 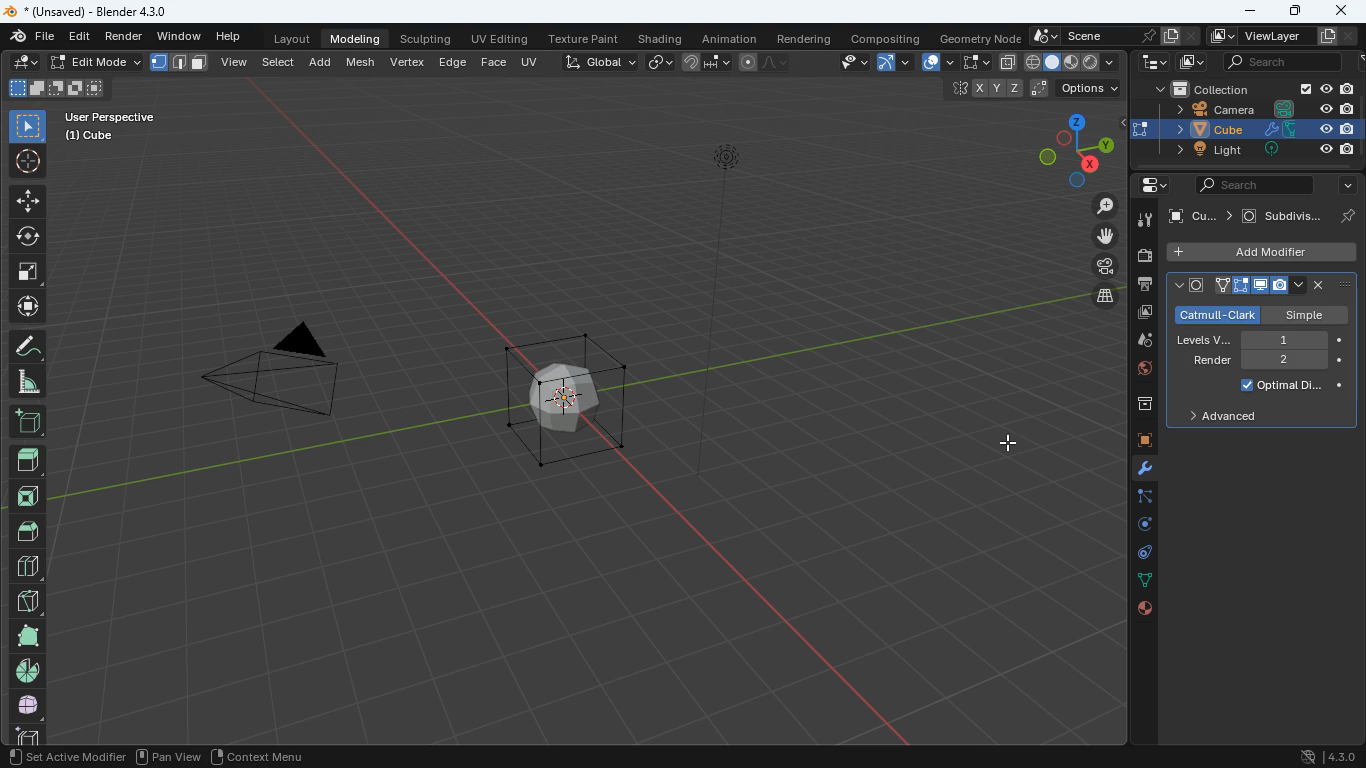 I want to click on angle, so click(x=26, y=383).